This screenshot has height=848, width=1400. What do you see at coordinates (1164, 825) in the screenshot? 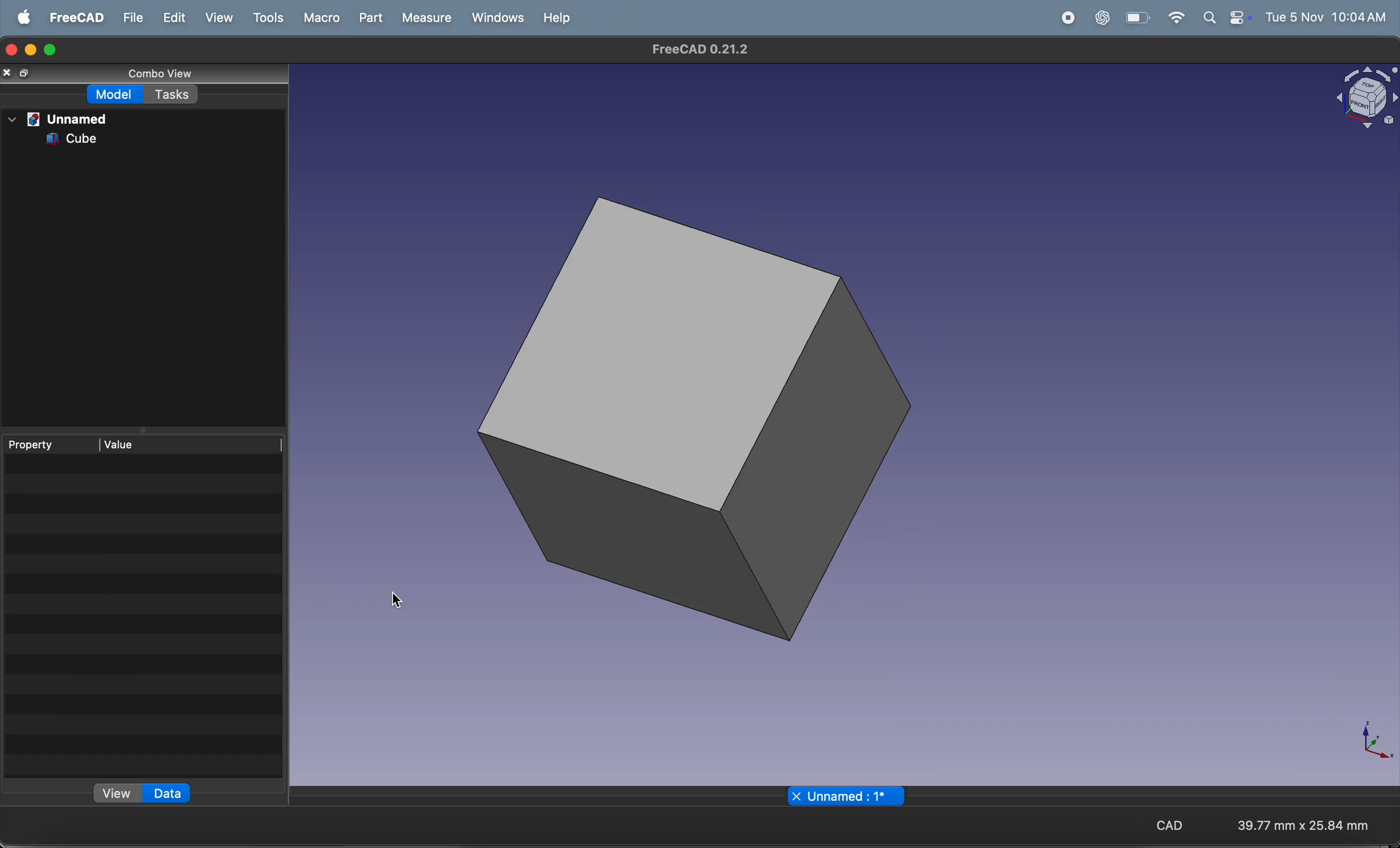
I see `CAD` at bounding box center [1164, 825].